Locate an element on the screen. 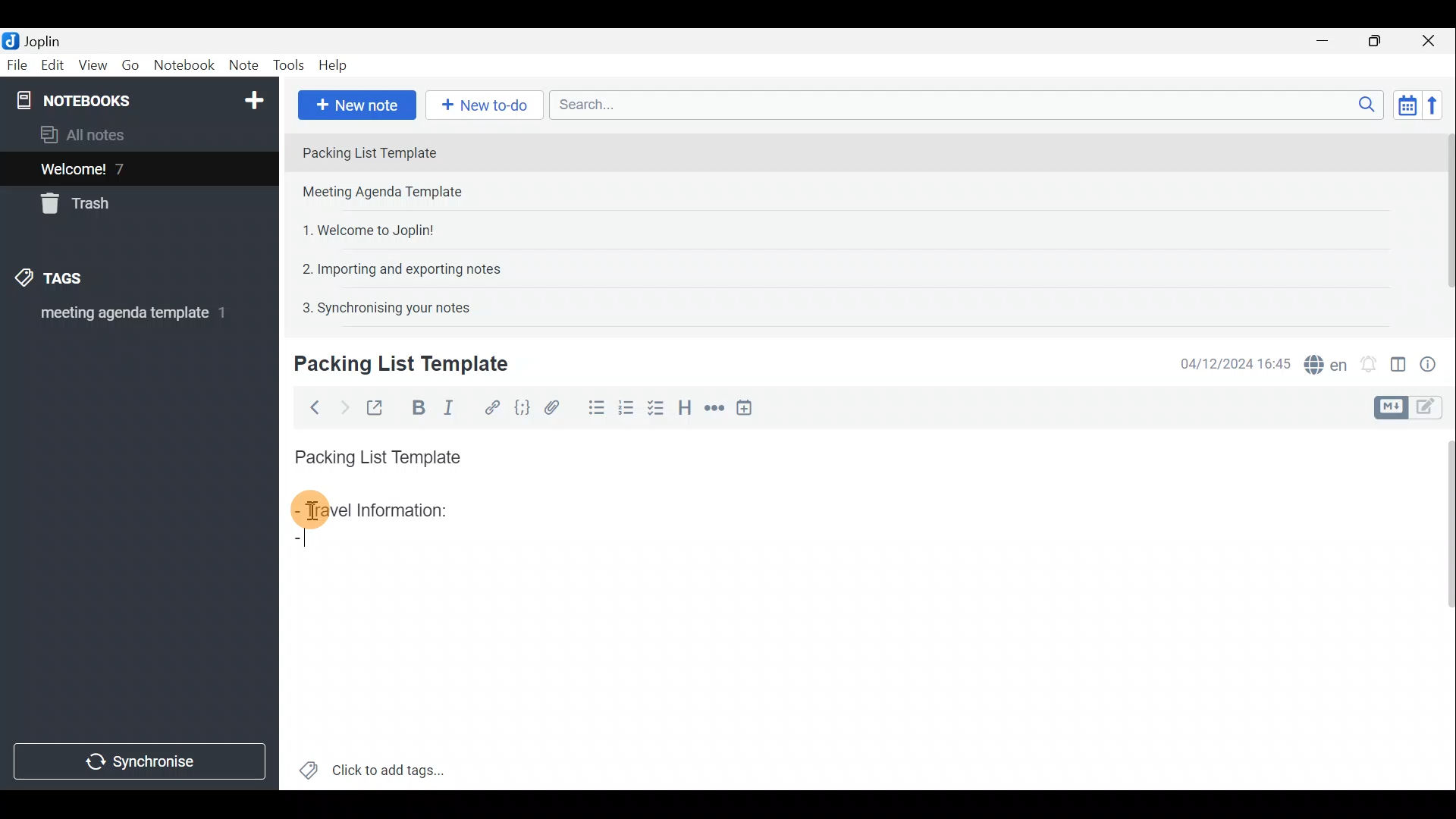 This screenshot has height=819, width=1456. Hyperlink is located at coordinates (489, 406).